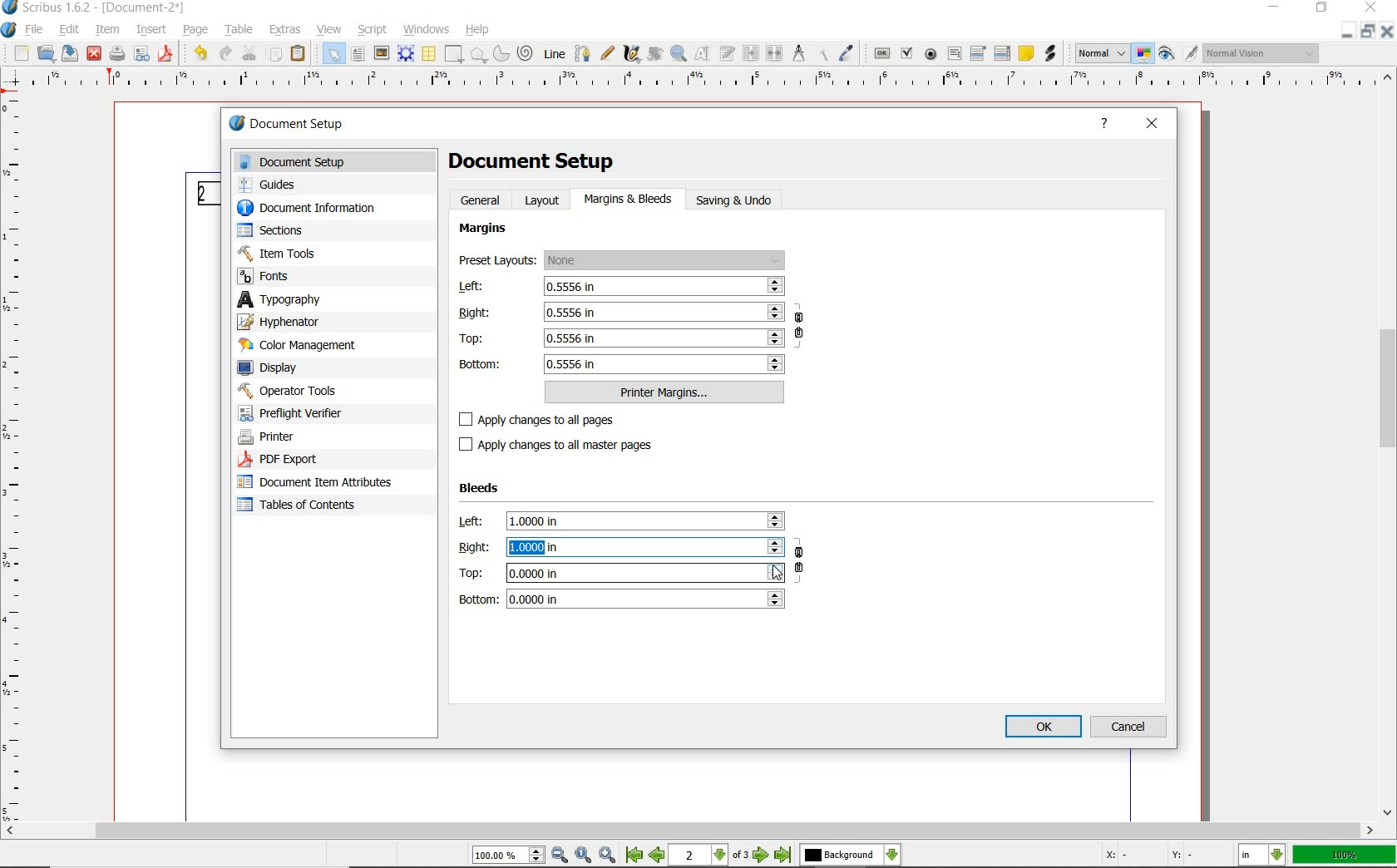 The width and height of the screenshot is (1397, 868). What do you see at coordinates (1131, 726) in the screenshot?
I see `cancel` at bounding box center [1131, 726].